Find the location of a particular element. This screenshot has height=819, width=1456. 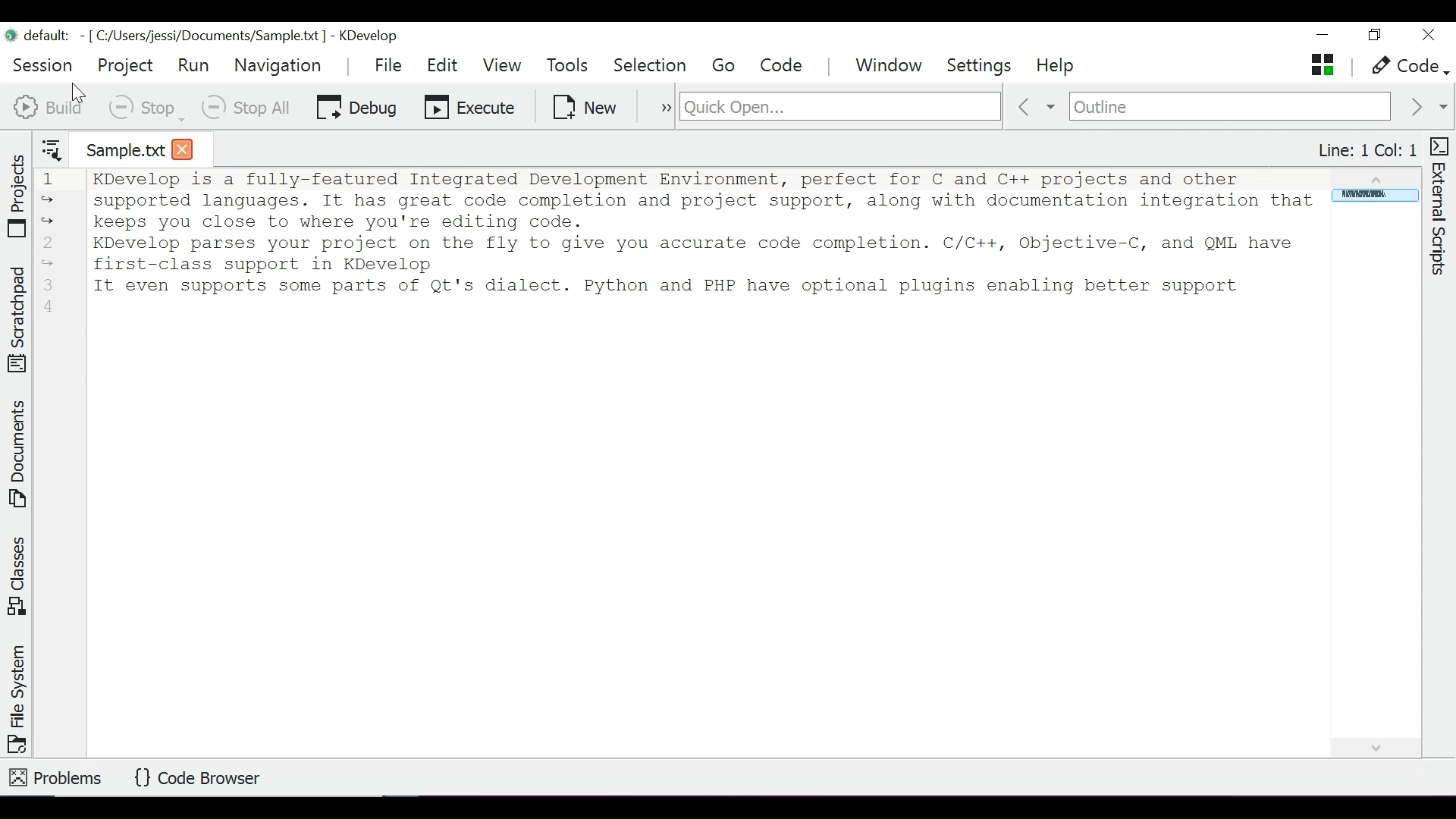

Settings is located at coordinates (980, 66).